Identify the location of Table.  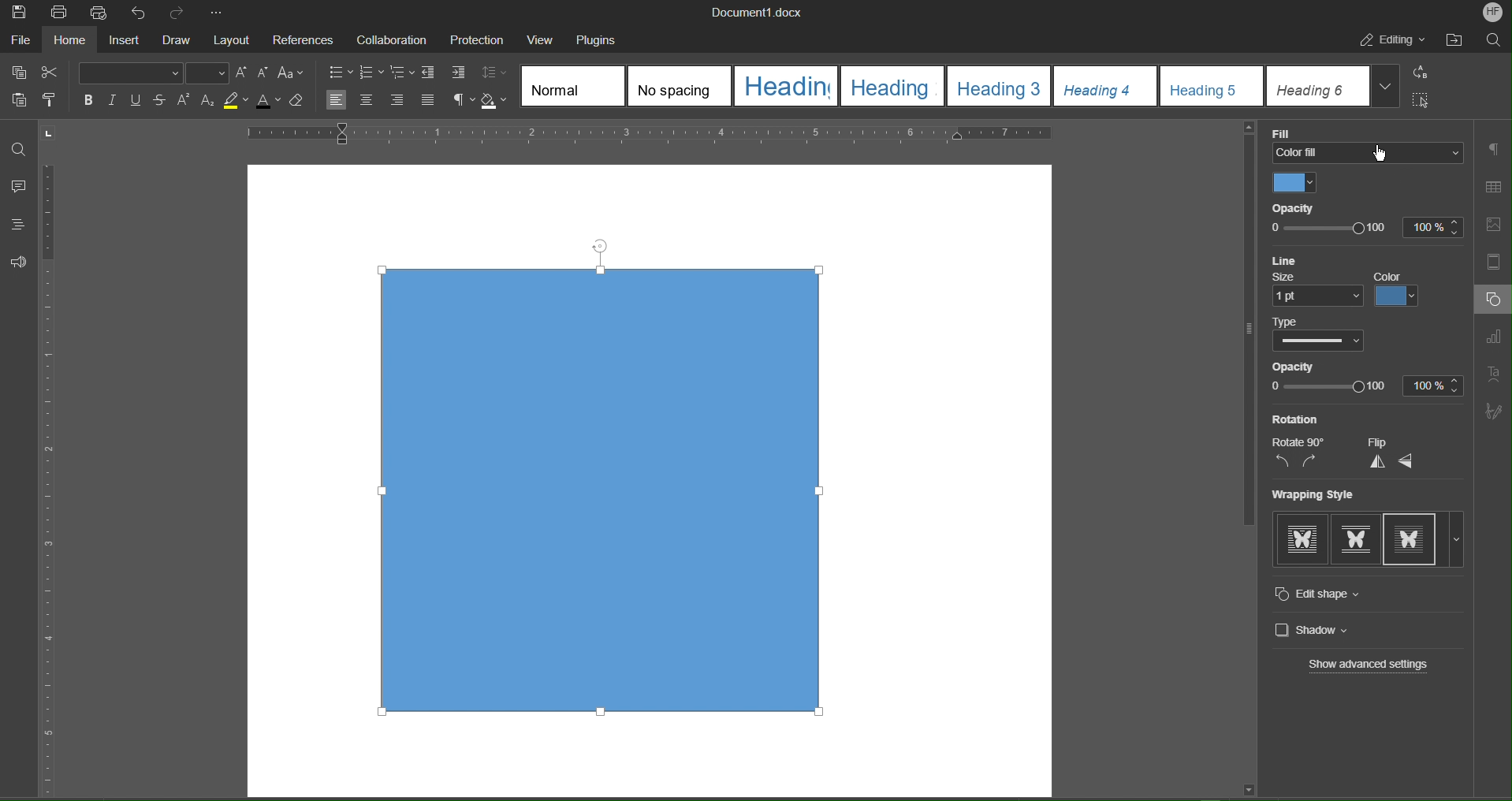
(1497, 184).